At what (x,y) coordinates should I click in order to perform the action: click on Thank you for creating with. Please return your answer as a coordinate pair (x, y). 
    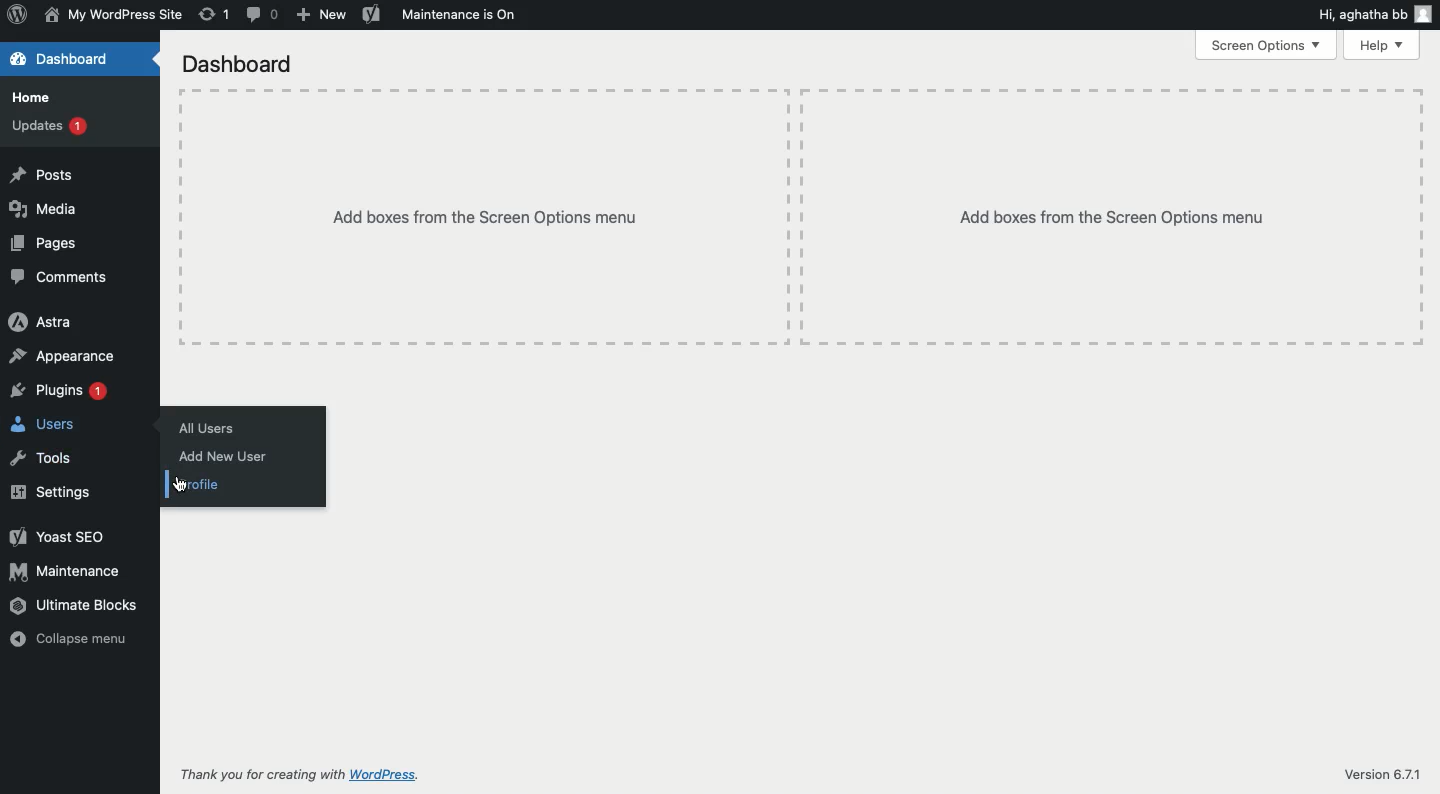
    Looking at the image, I should click on (262, 775).